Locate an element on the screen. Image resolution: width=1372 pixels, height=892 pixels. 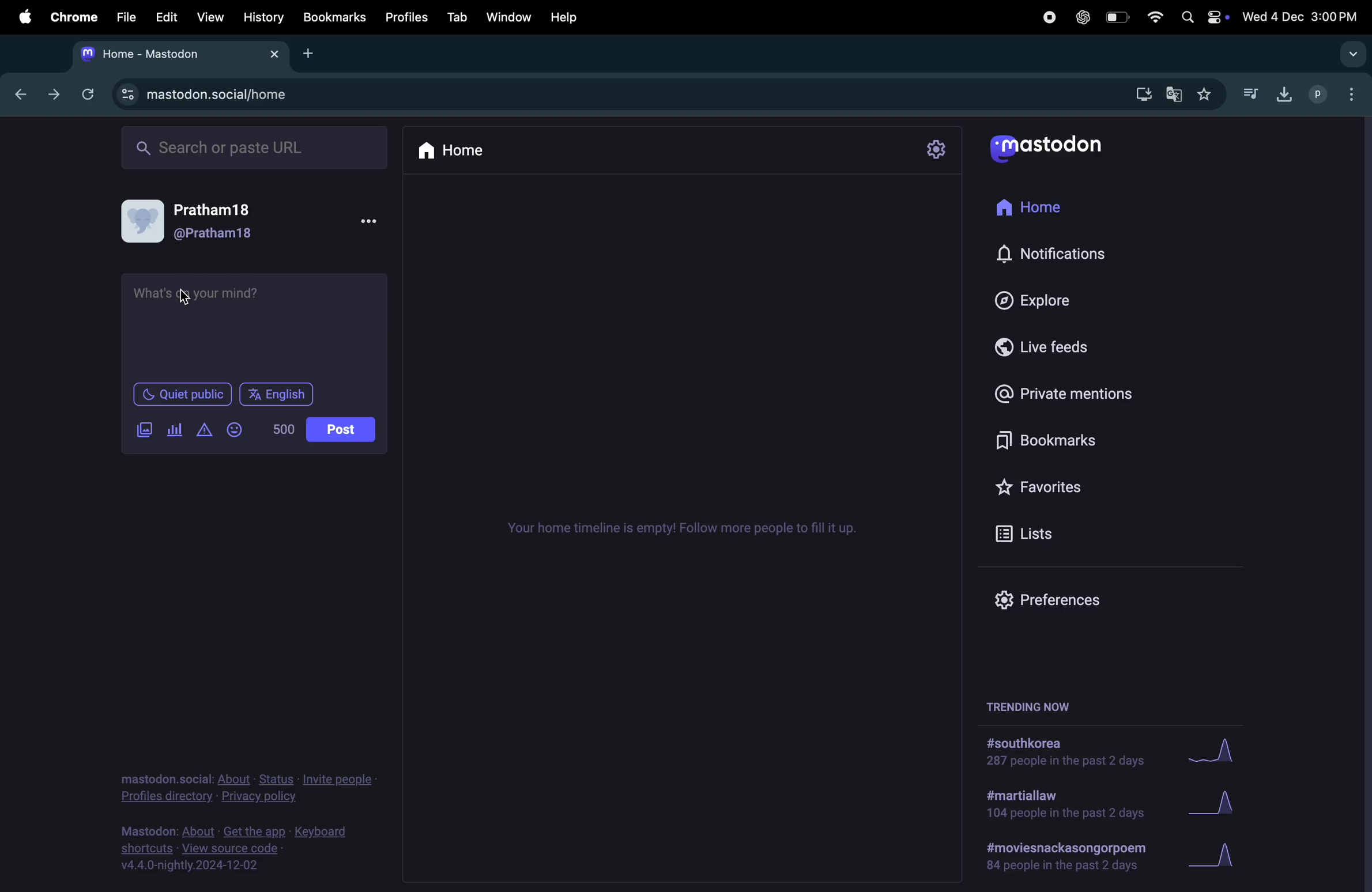
emoji is located at coordinates (239, 430).